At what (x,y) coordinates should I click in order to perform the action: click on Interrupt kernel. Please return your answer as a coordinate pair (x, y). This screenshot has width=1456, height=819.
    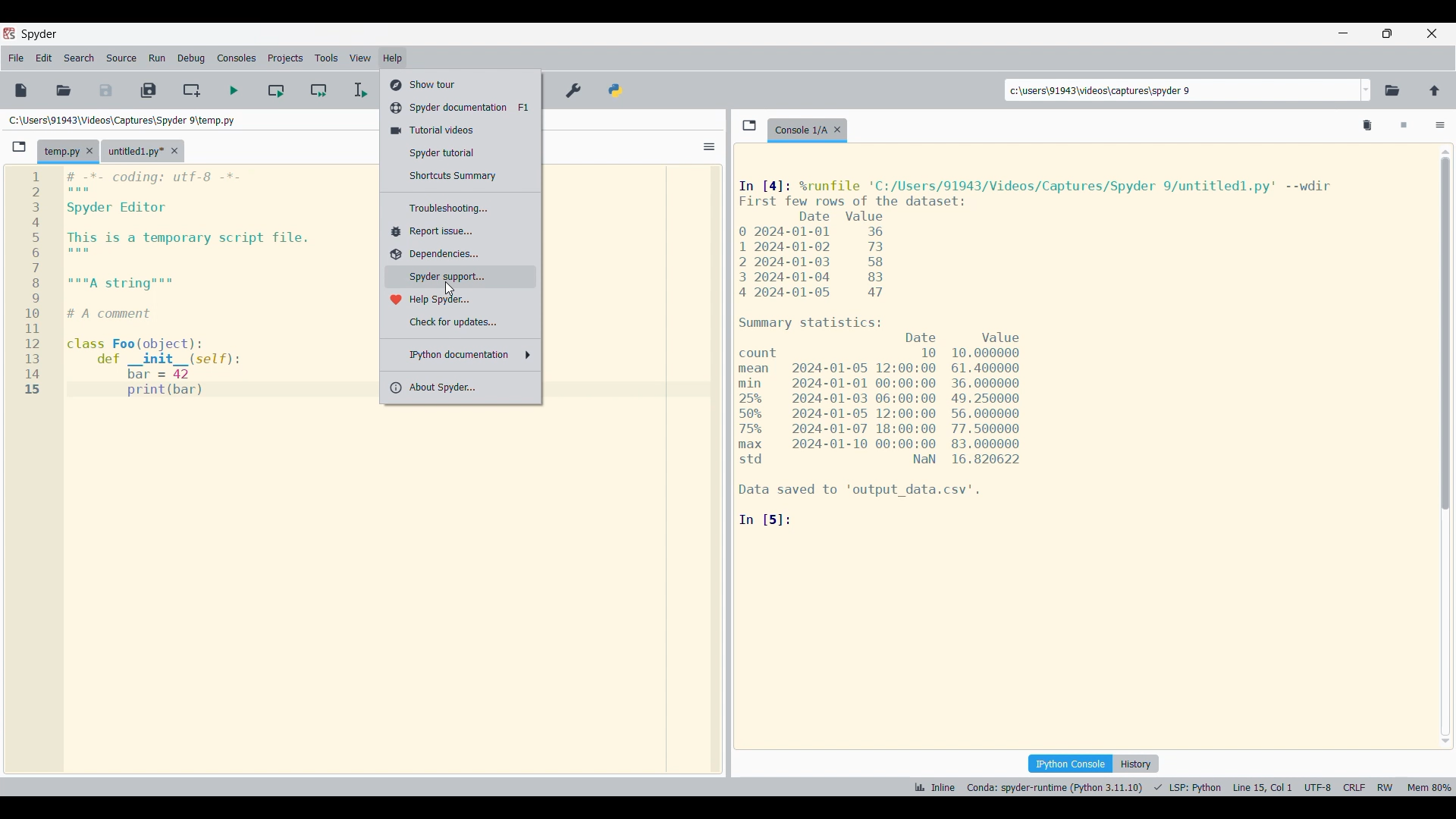
    Looking at the image, I should click on (1404, 126).